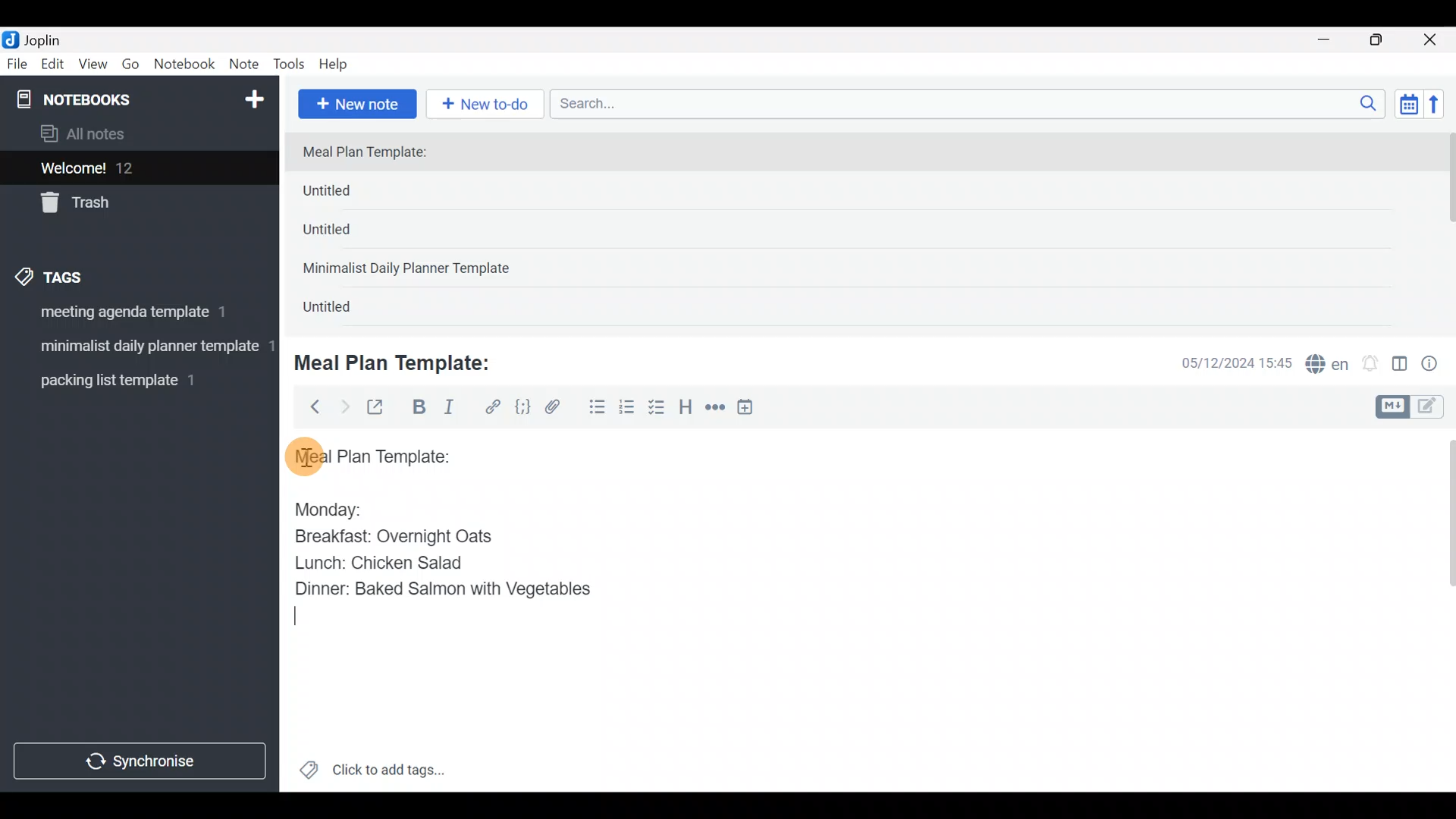  I want to click on Help, so click(339, 61).